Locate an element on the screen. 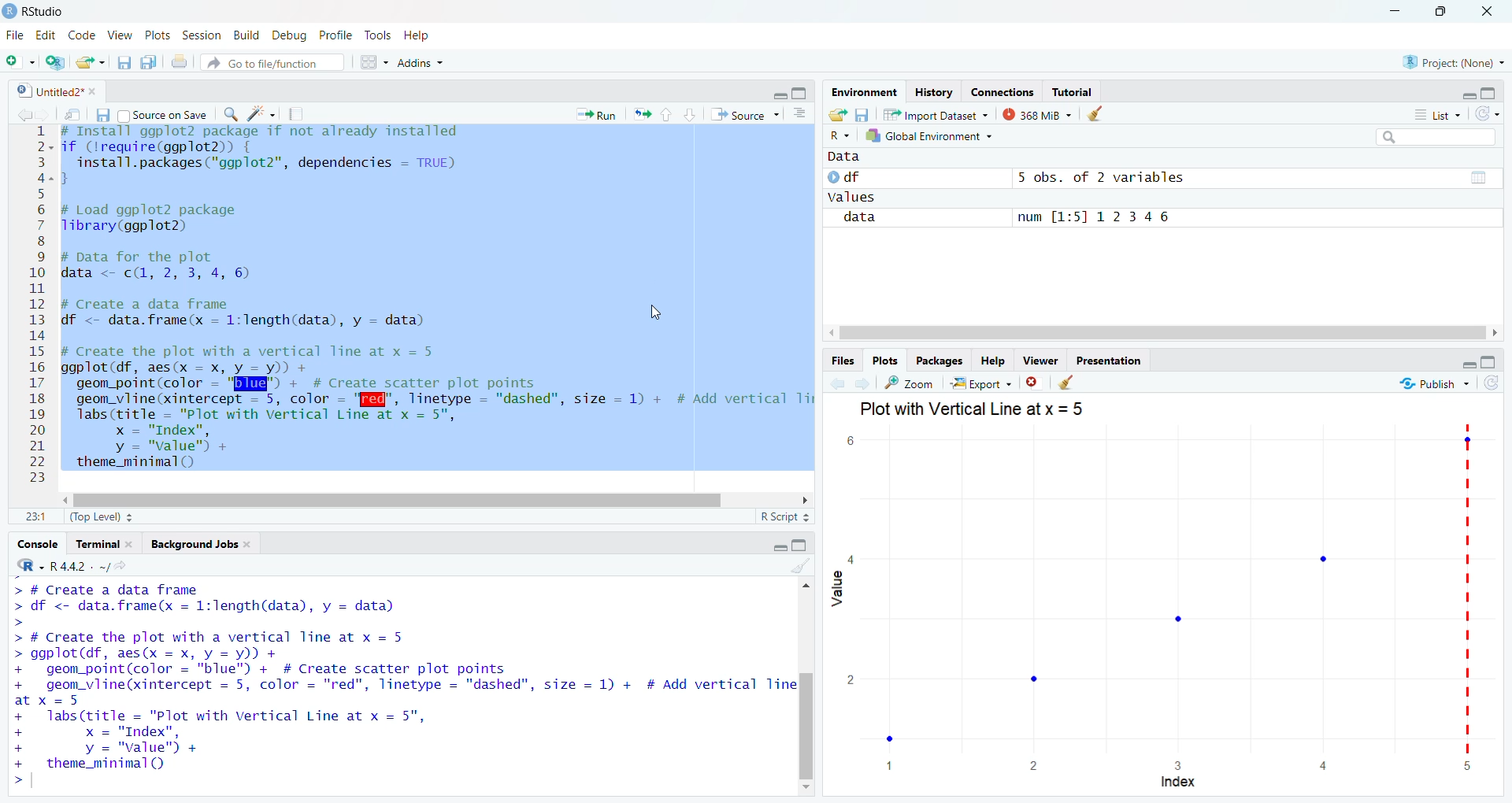  Background Jobs. is located at coordinates (207, 545).